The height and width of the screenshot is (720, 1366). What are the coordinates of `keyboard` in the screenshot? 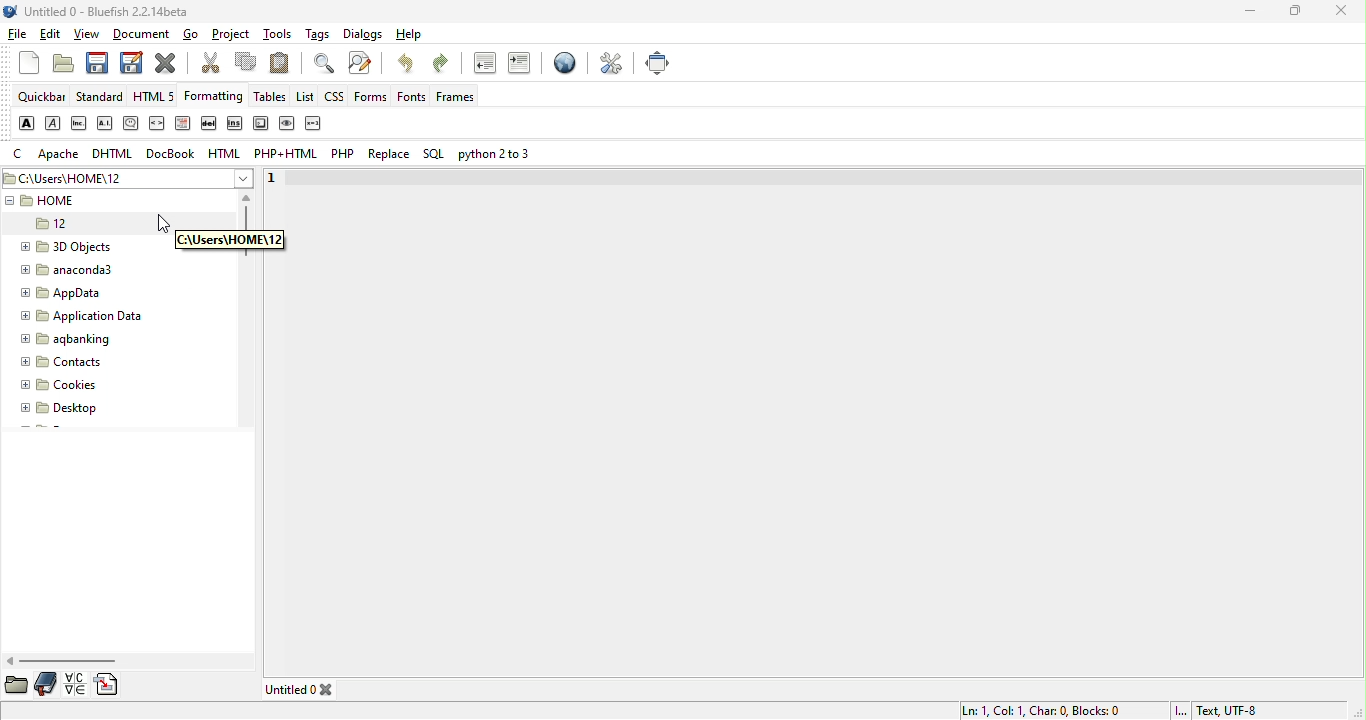 It's located at (257, 125).